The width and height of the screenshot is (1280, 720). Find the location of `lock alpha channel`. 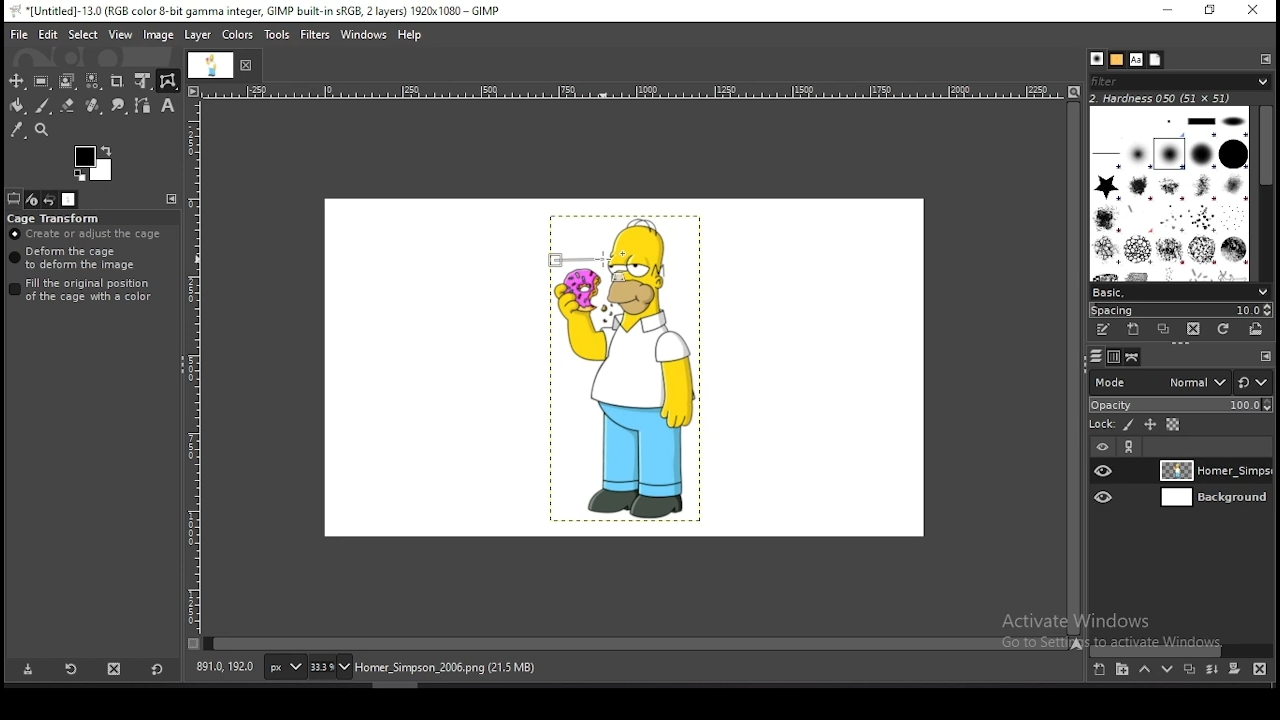

lock alpha channel is located at coordinates (1172, 426).